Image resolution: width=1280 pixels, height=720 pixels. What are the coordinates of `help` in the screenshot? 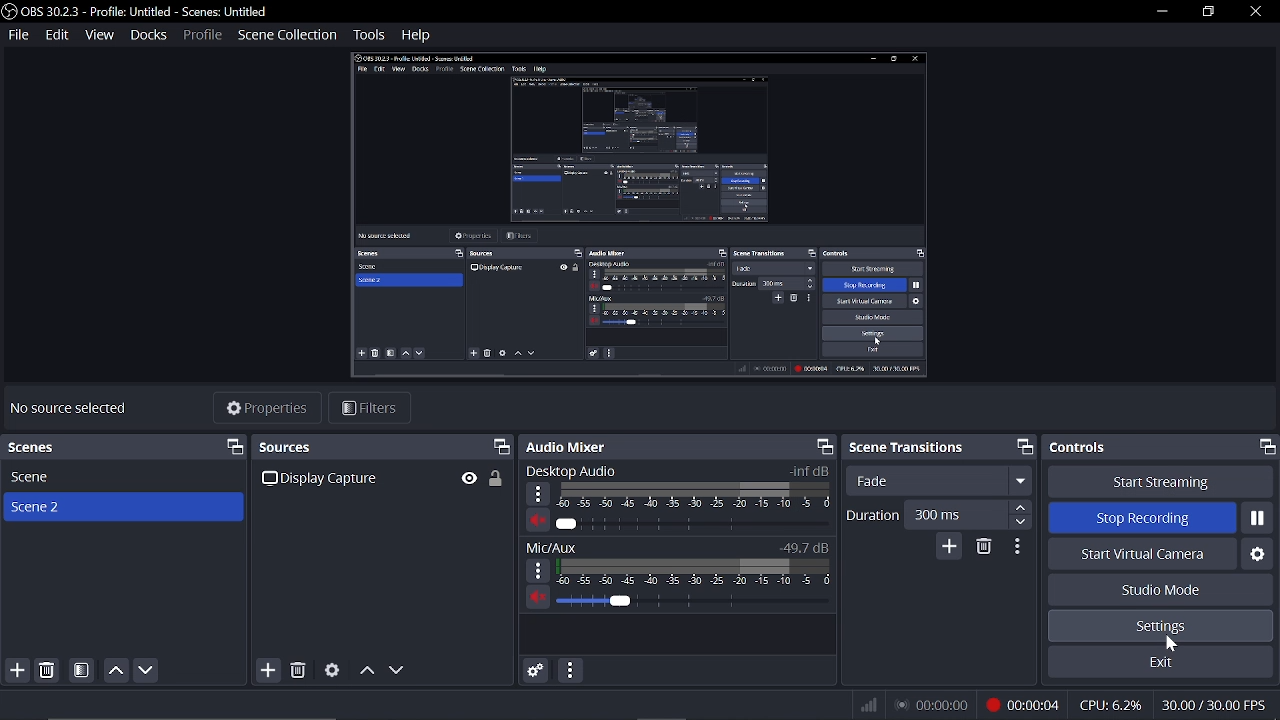 It's located at (416, 35).